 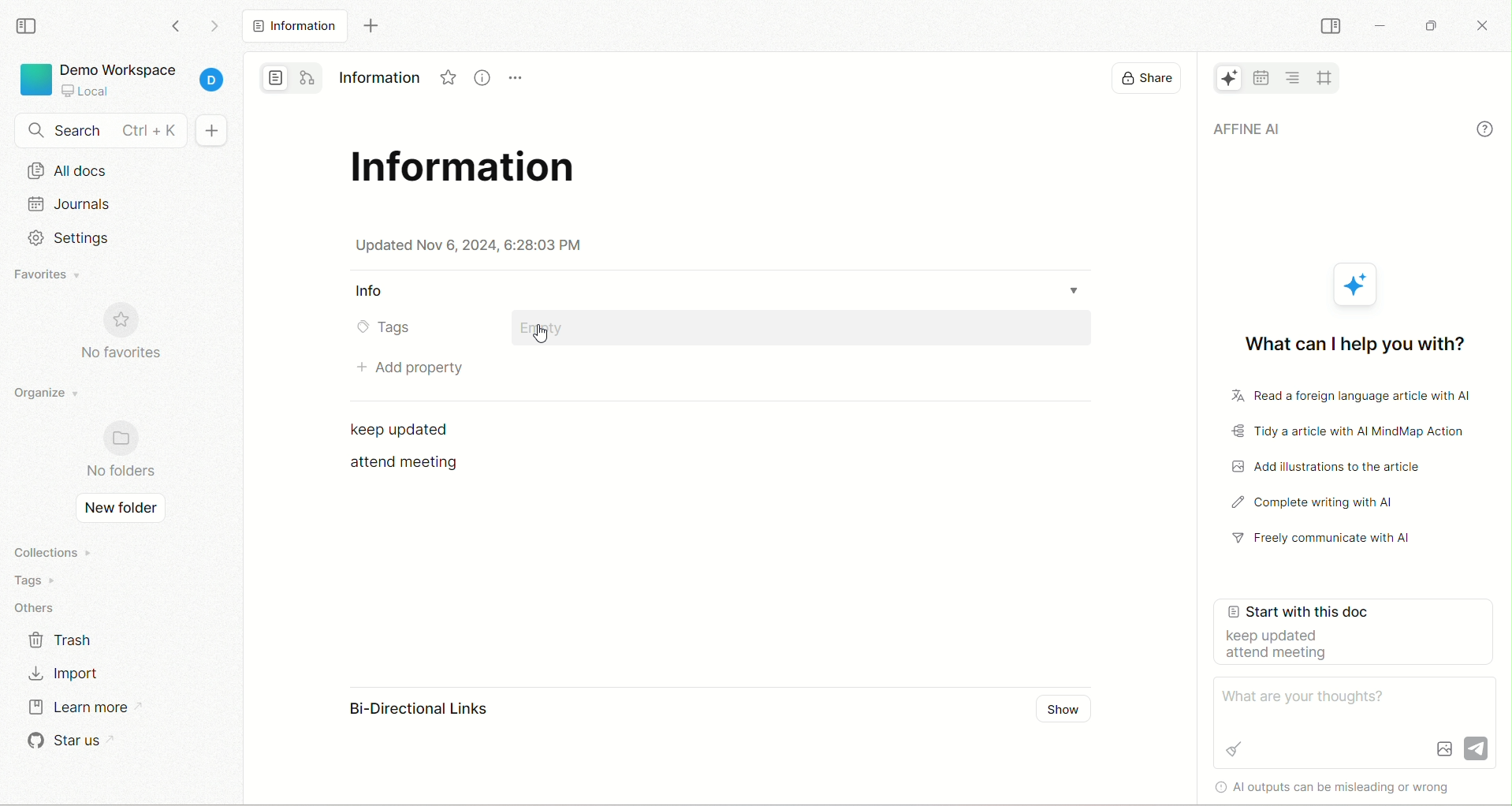 What do you see at coordinates (1330, 25) in the screenshot?
I see `collapse sidebar` at bounding box center [1330, 25].